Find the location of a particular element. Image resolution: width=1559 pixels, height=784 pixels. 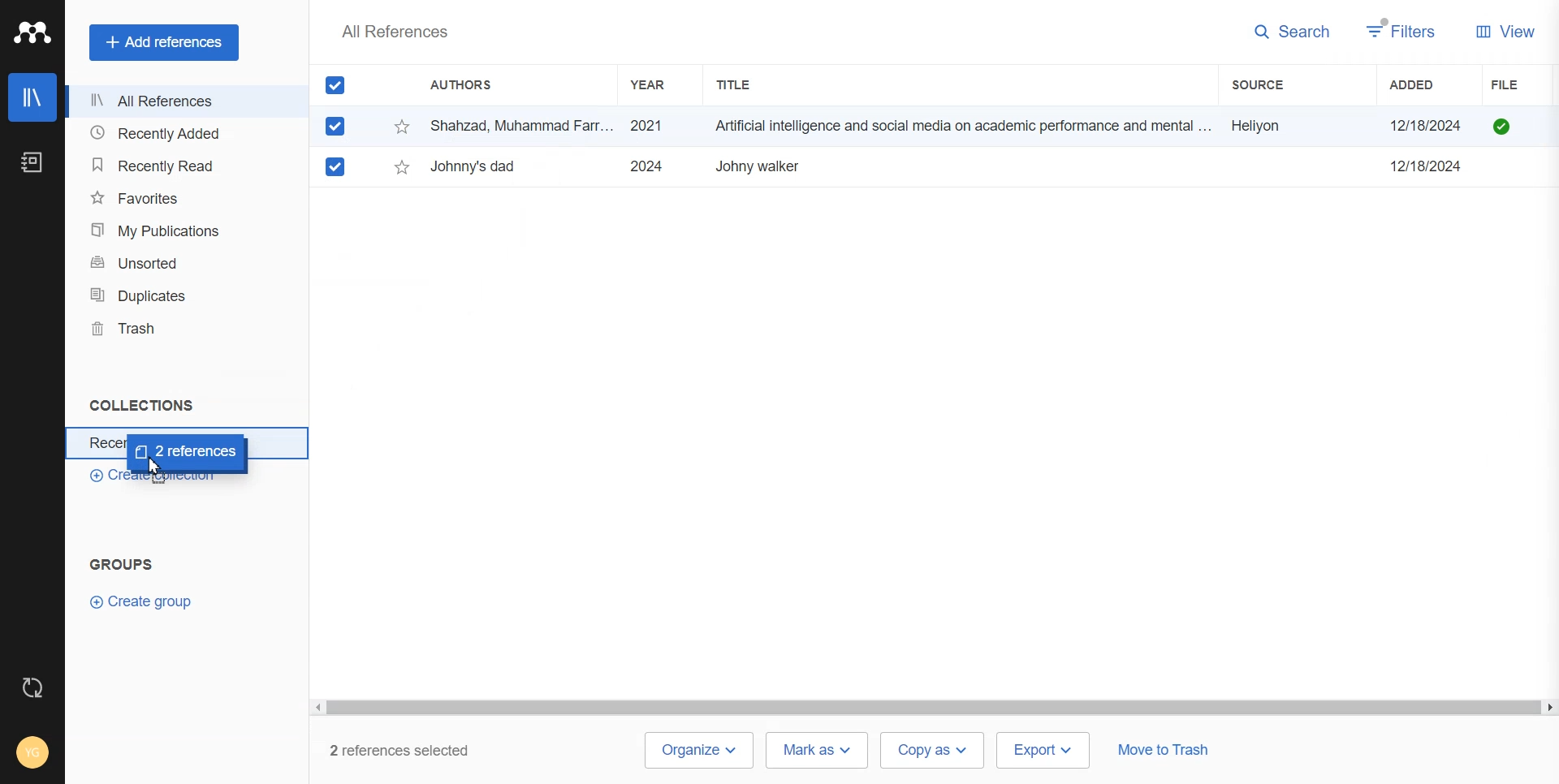

star is located at coordinates (403, 127).